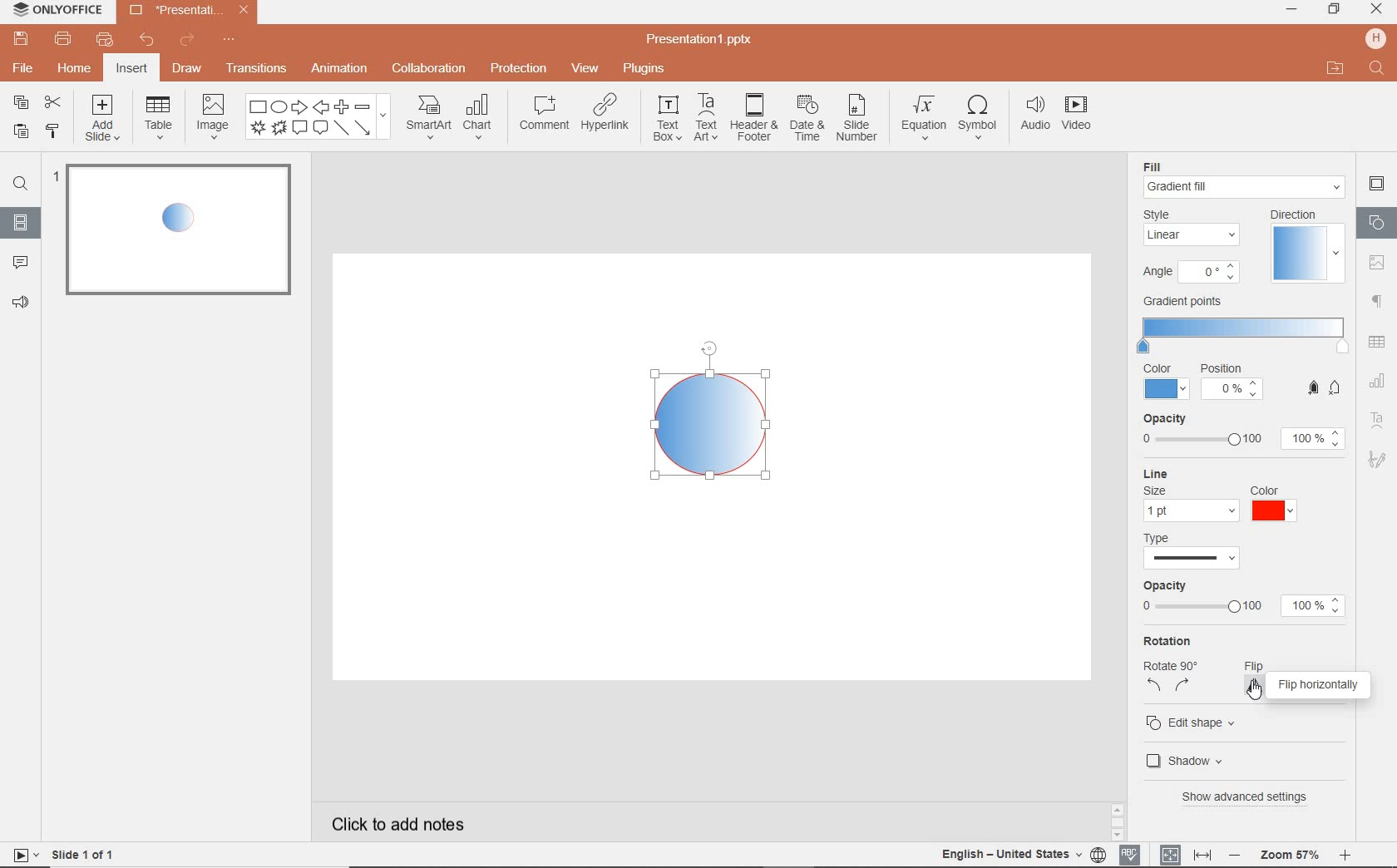  I want to click on mouse pointer, so click(1257, 689).